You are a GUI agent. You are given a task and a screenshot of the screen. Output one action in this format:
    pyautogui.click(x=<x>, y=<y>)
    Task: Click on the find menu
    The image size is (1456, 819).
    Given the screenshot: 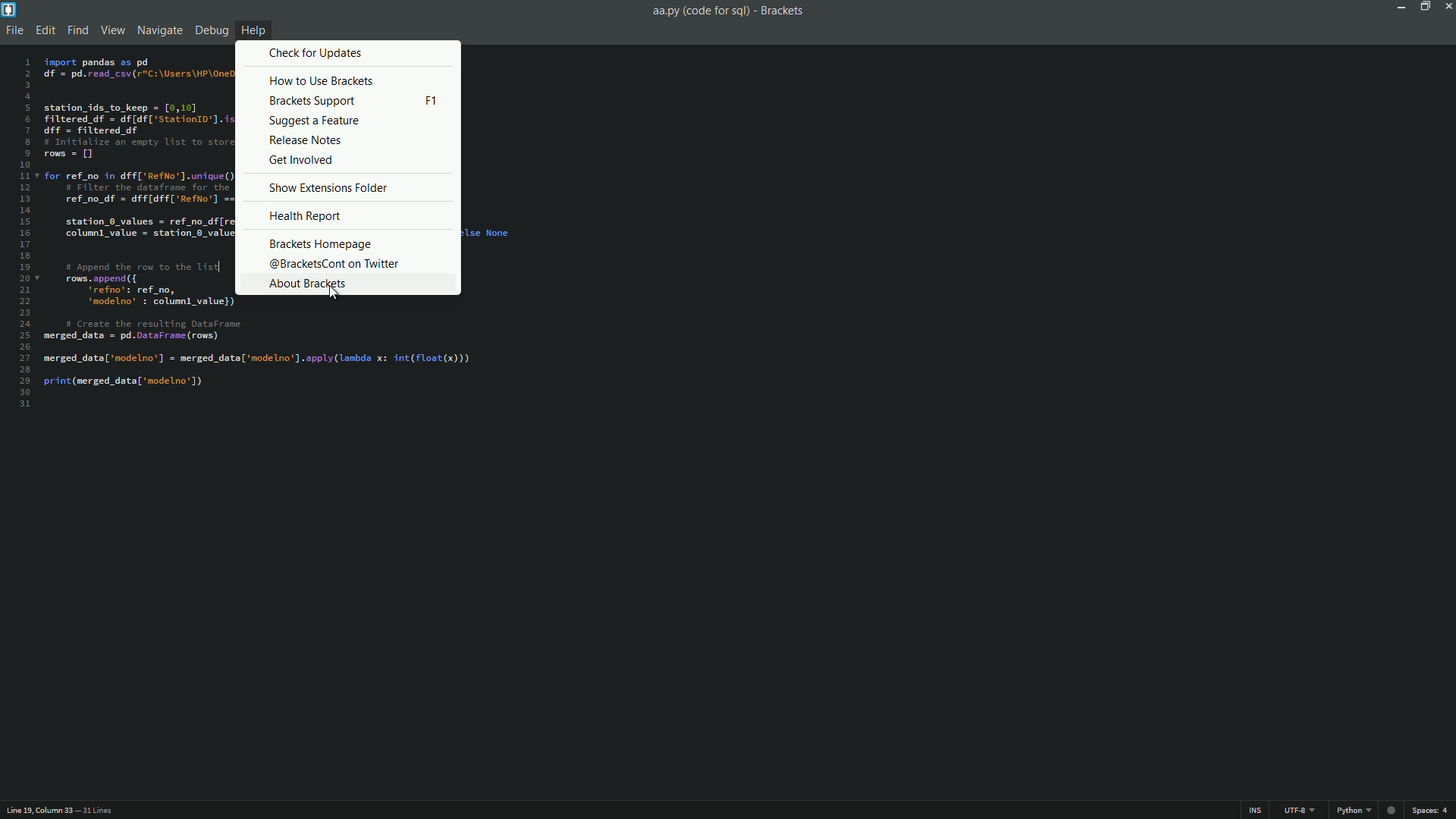 What is the action you would take?
    pyautogui.click(x=79, y=30)
    